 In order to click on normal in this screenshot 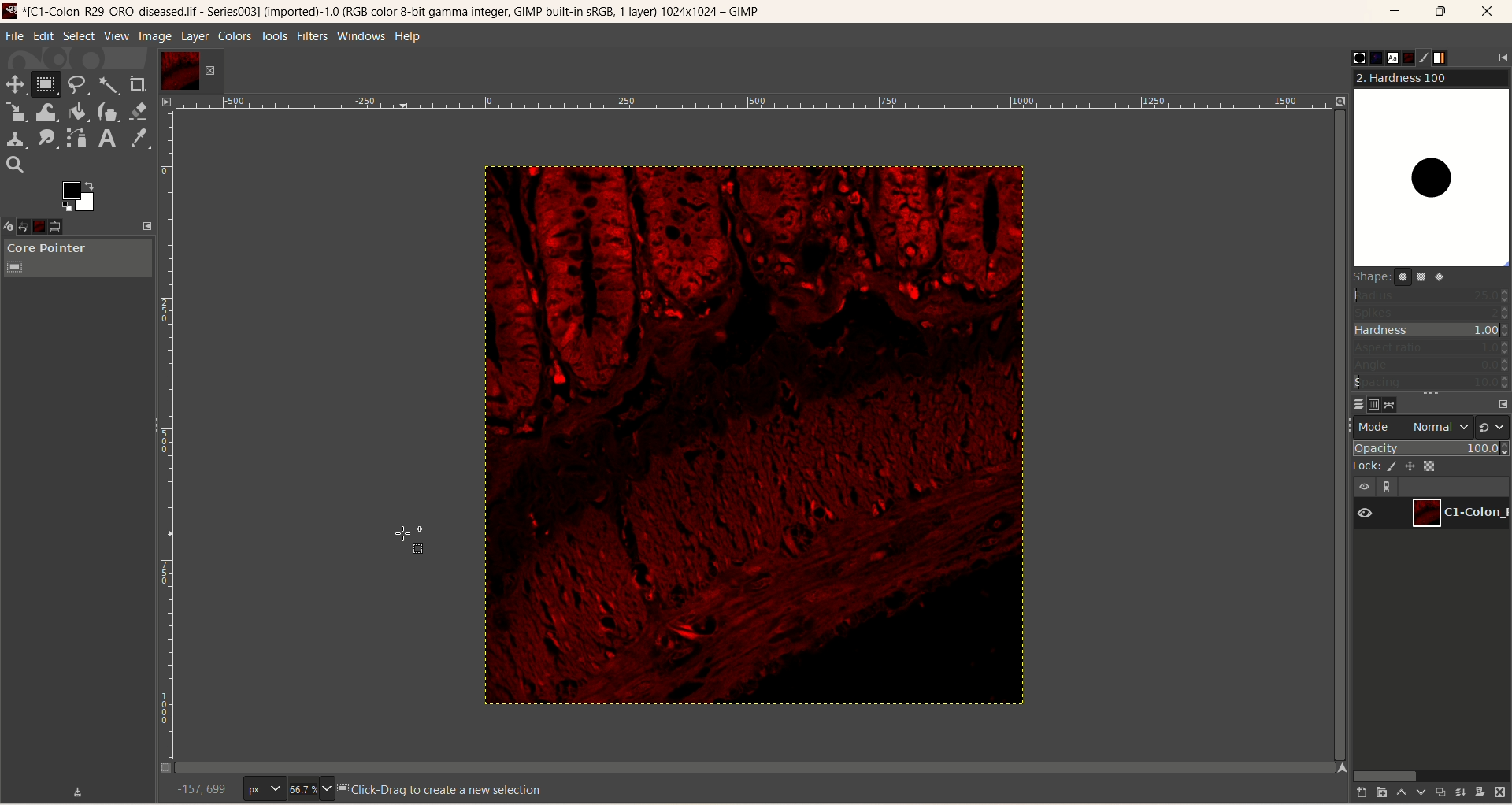, I will do `click(1436, 428)`.